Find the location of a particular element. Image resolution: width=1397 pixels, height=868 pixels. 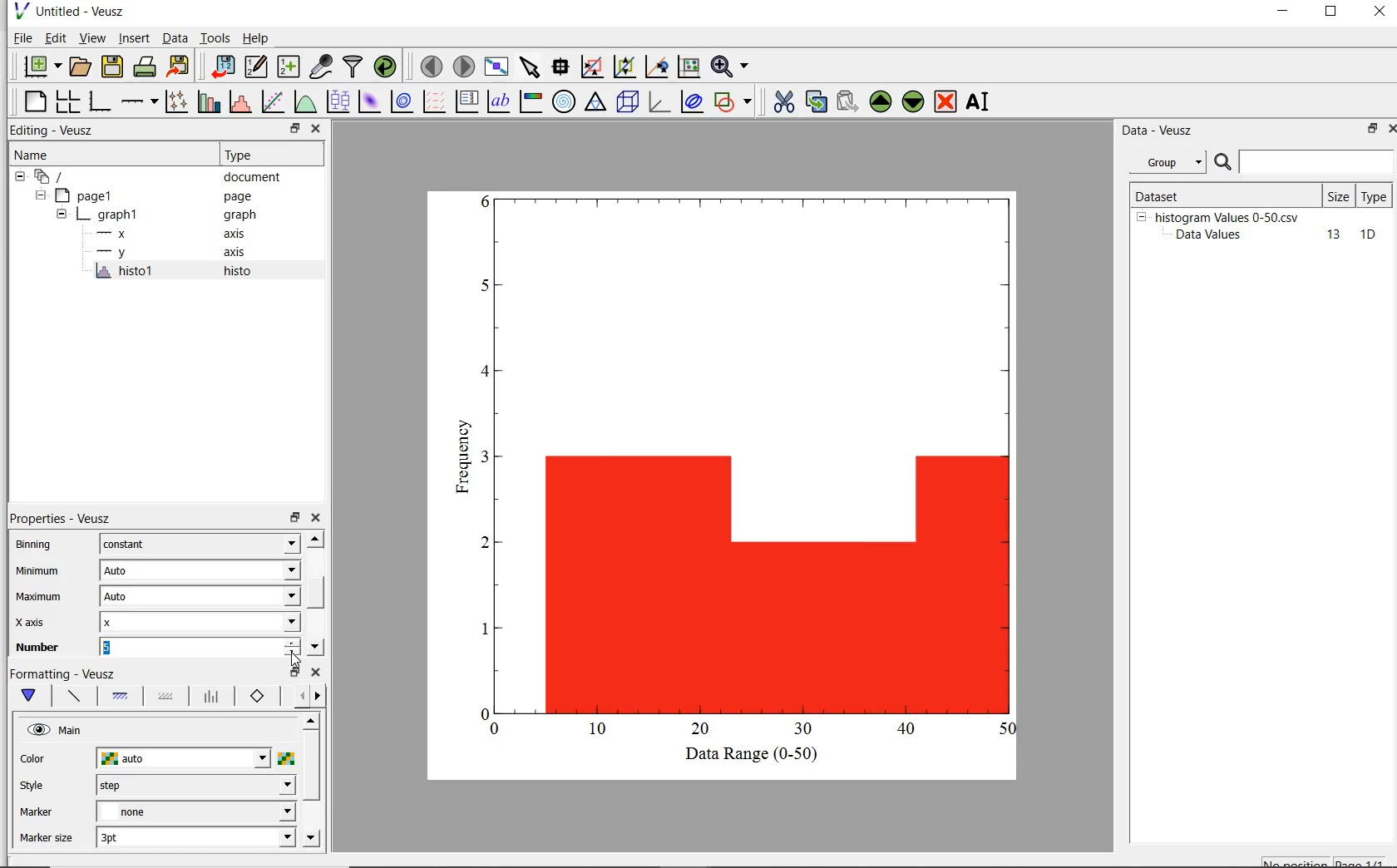

print the document is located at coordinates (146, 65).